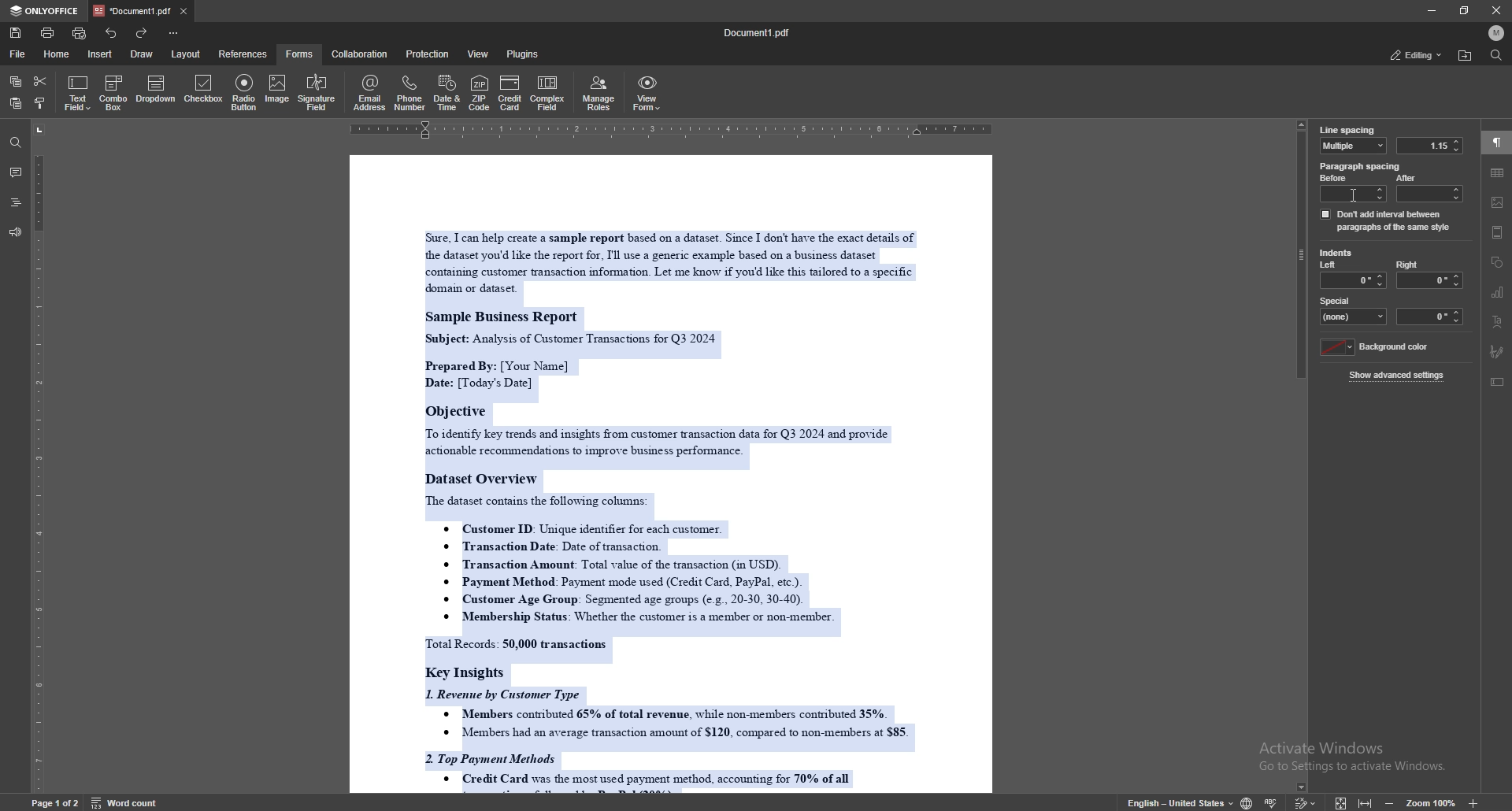 The height and width of the screenshot is (811, 1512). What do you see at coordinates (276, 91) in the screenshot?
I see `image` at bounding box center [276, 91].